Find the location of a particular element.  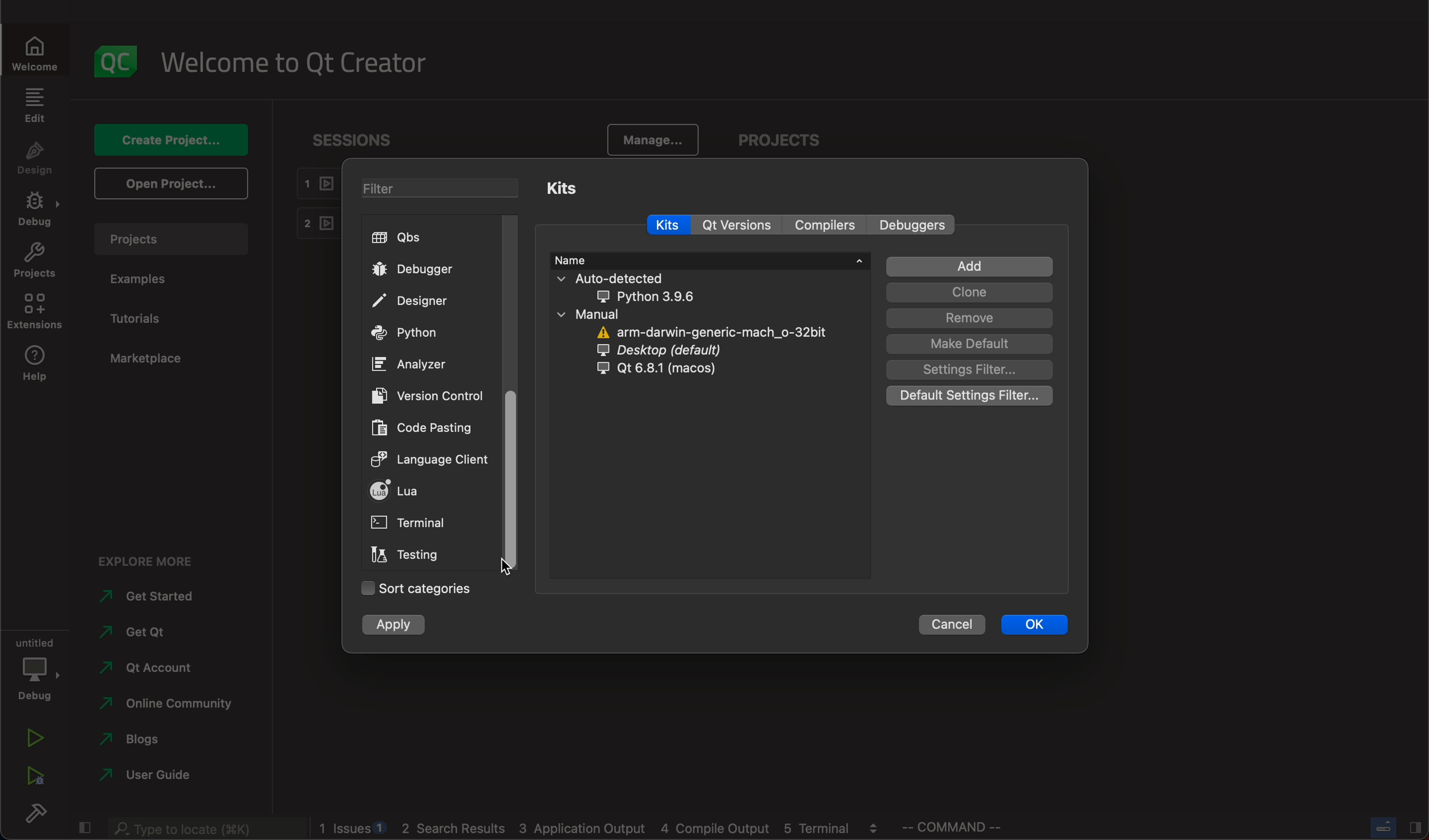

client is located at coordinates (429, 461).